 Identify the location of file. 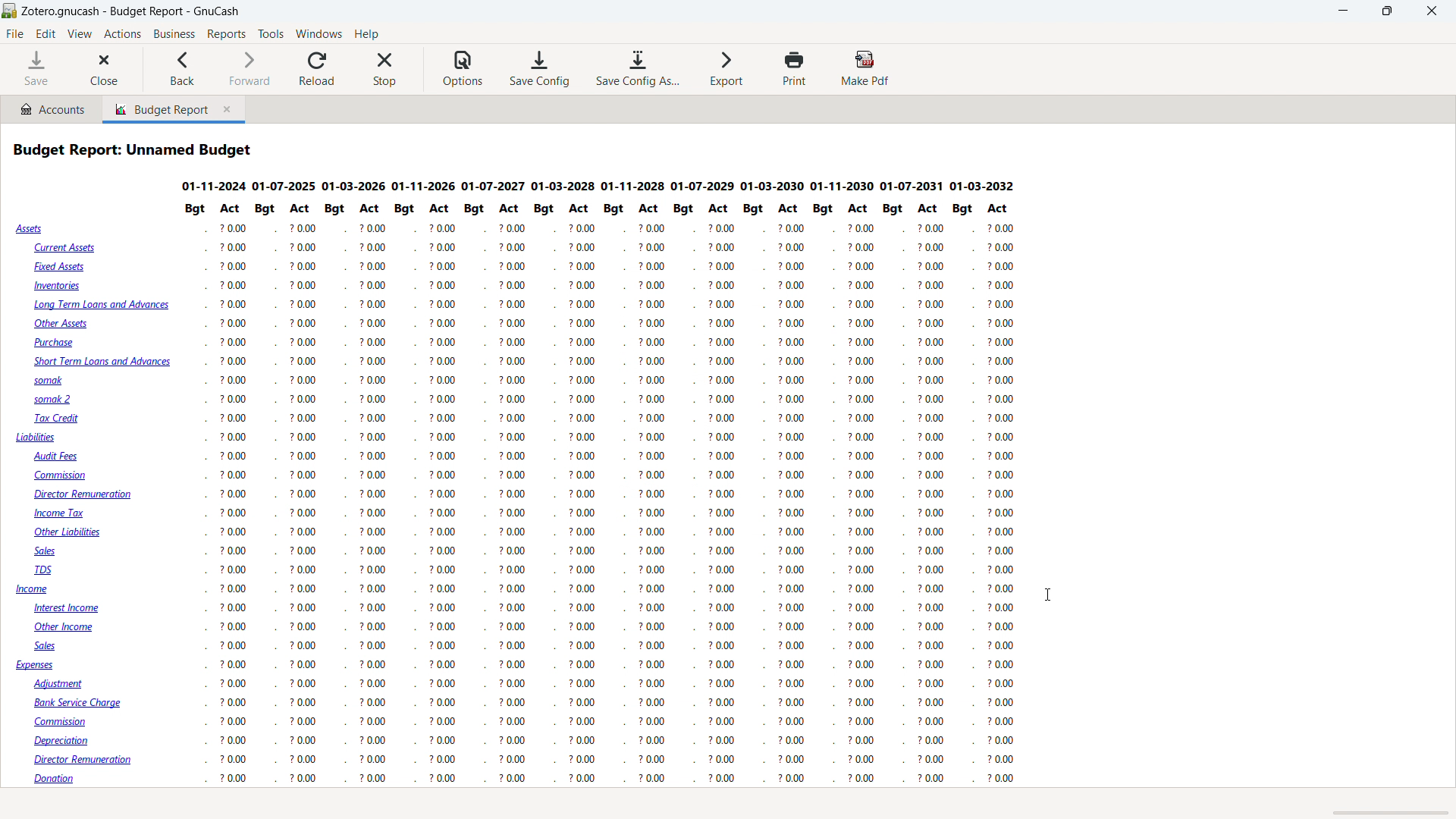
(15, 34).